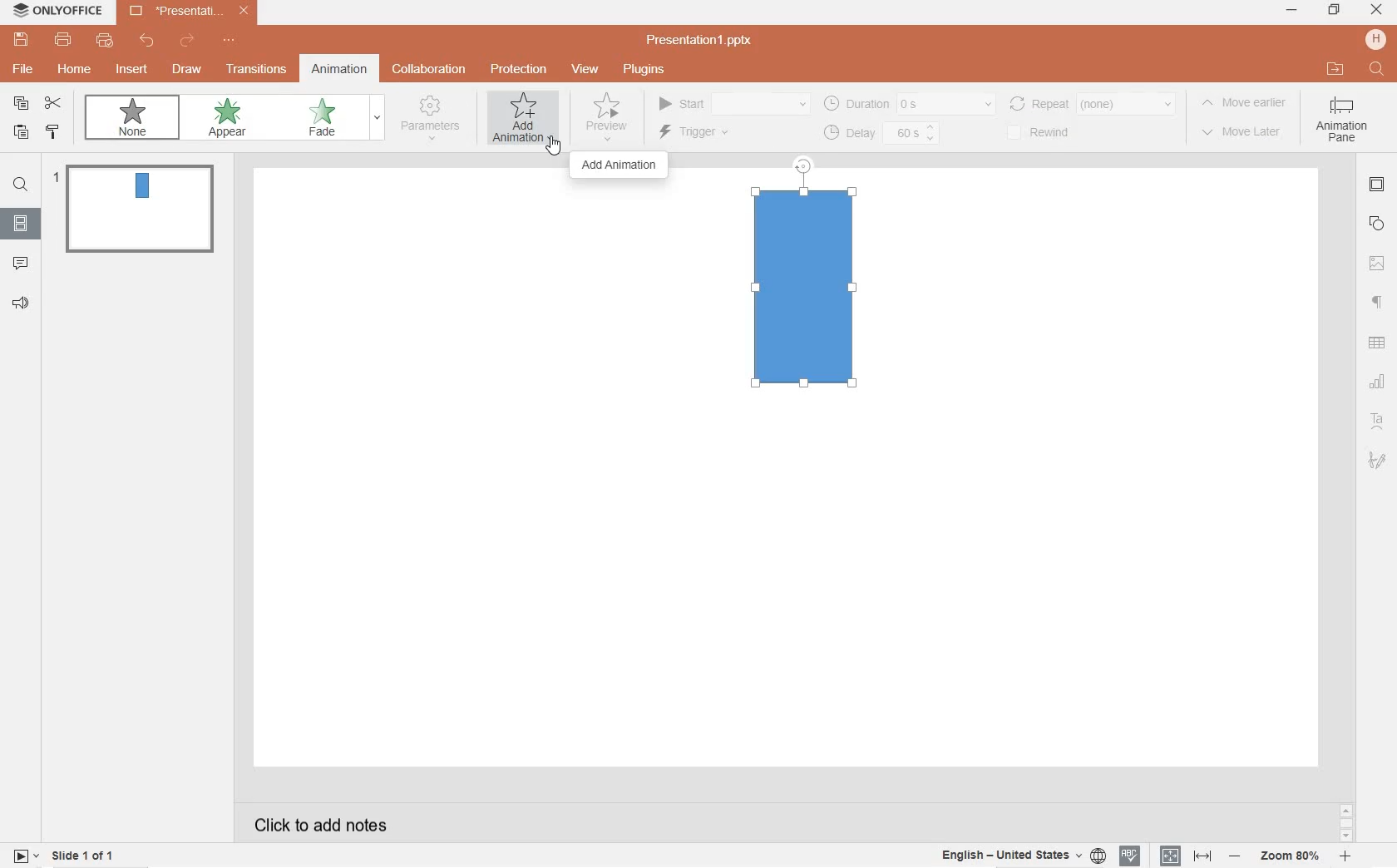 Image resolution: width=1397 pixels, height=868 pixels. What do you see at coordinates (193, 12) in the screenshot?
I see `*Presentation1.pptx` at bounding box center [193, 12].